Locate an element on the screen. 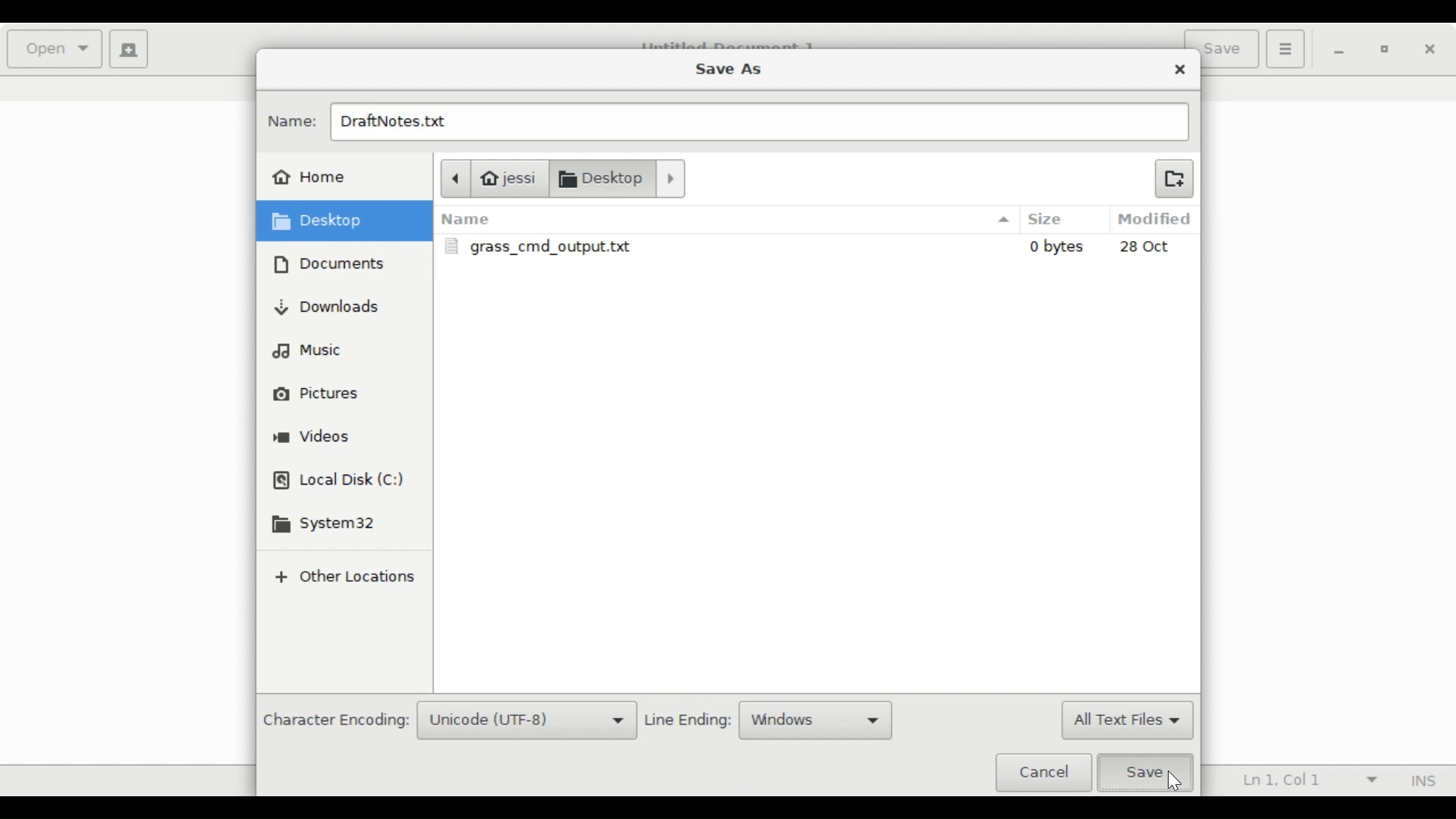  Character Encoding is located at coordinates (334, 721).